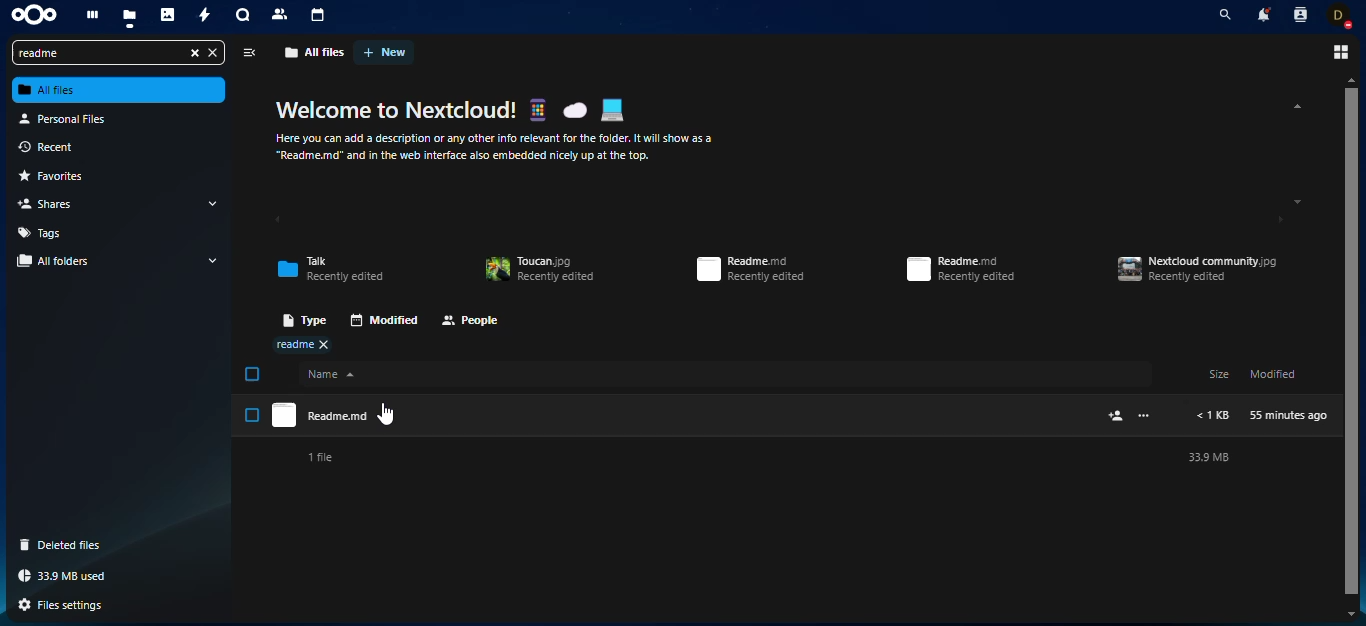 This screenshot has height=626, width=1366. What do you see at coordinates (961, 269) in the screenshot?
I see `Readme.md Recently edited` at bounding box center [961, 269].